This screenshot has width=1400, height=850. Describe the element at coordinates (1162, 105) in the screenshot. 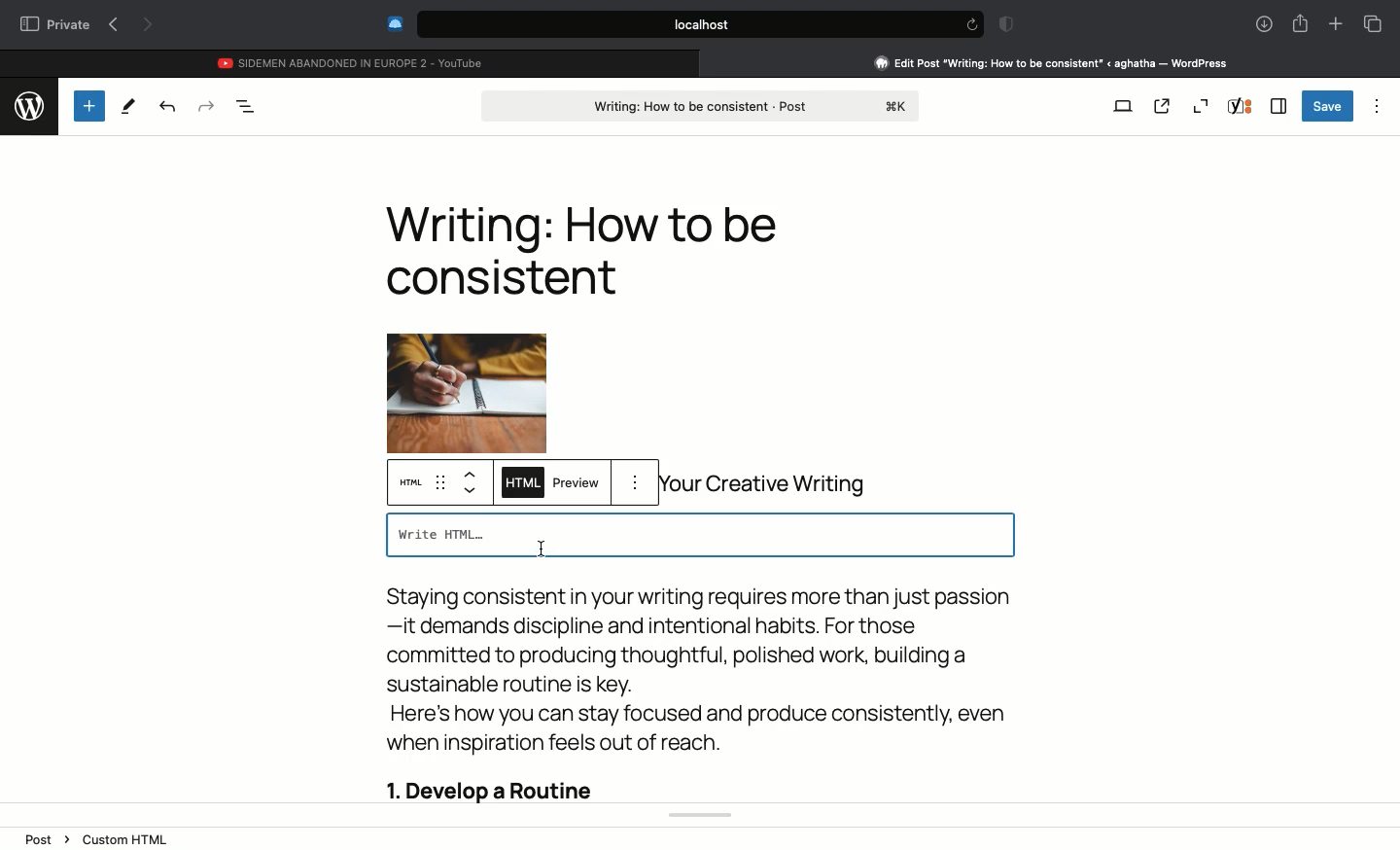

I see `View post` at that location.